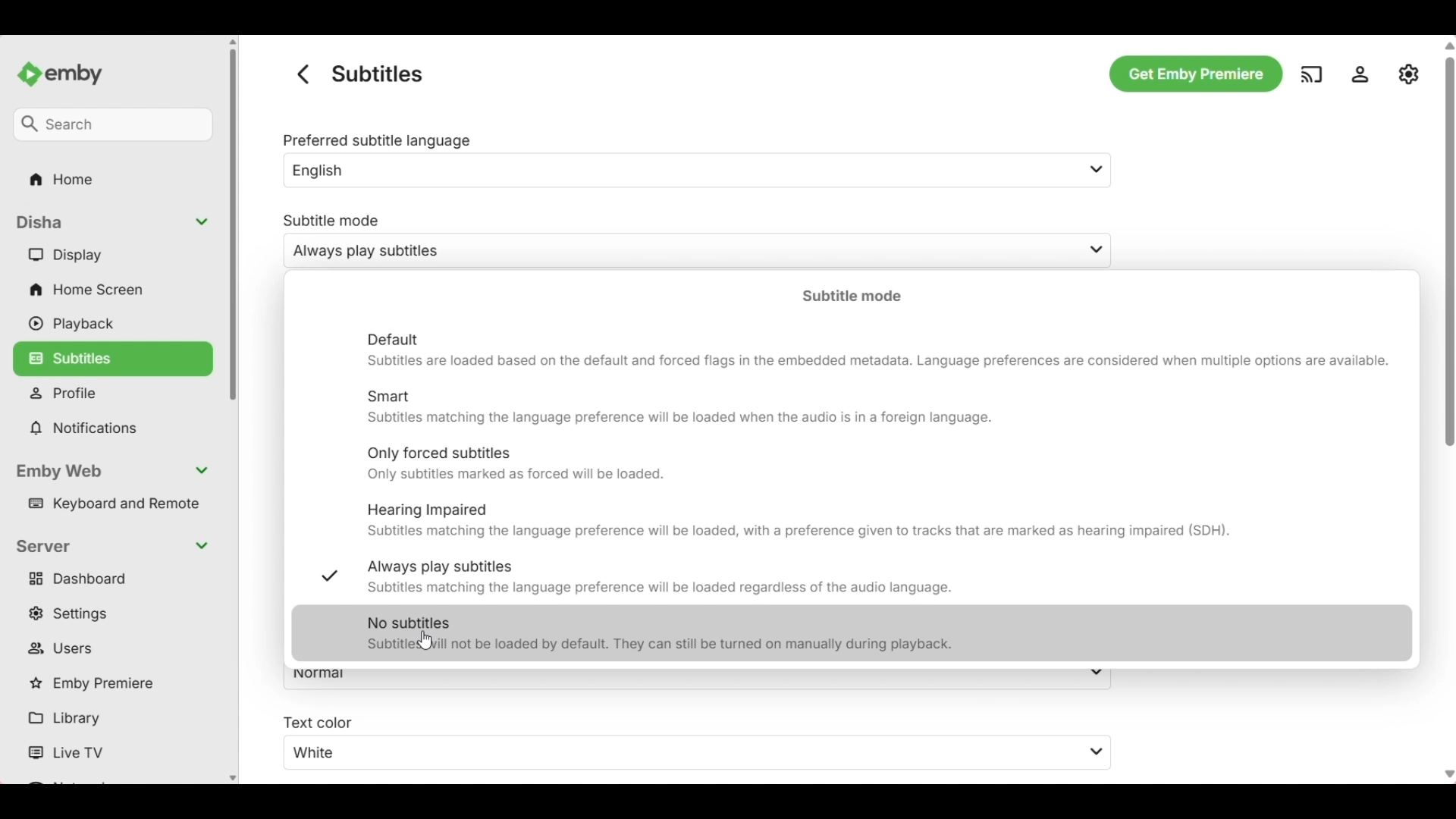  I want to click on Subtitles, so click(113, 356).